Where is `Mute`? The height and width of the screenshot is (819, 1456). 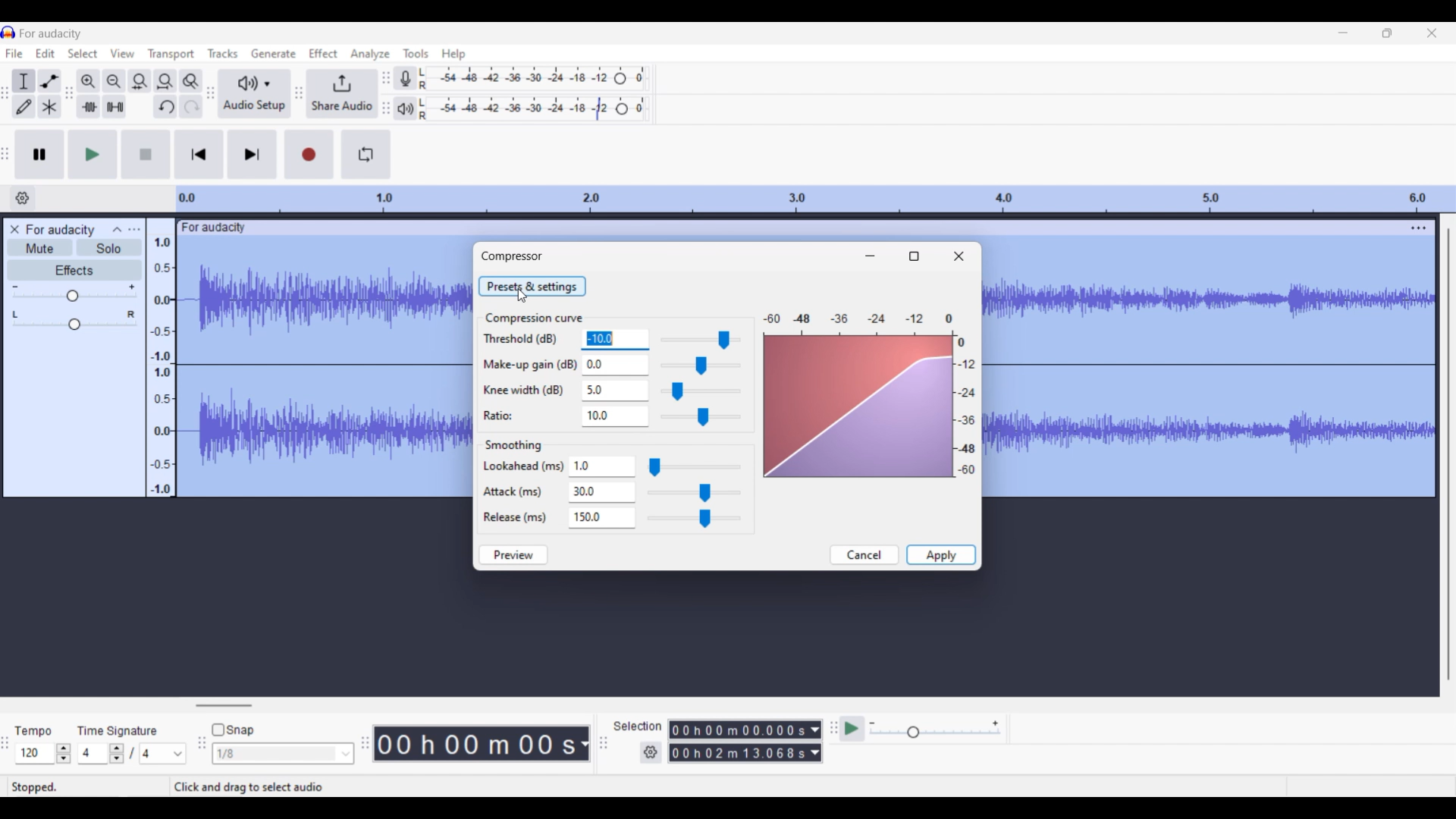 Mute is located at coordinates (39, 247).